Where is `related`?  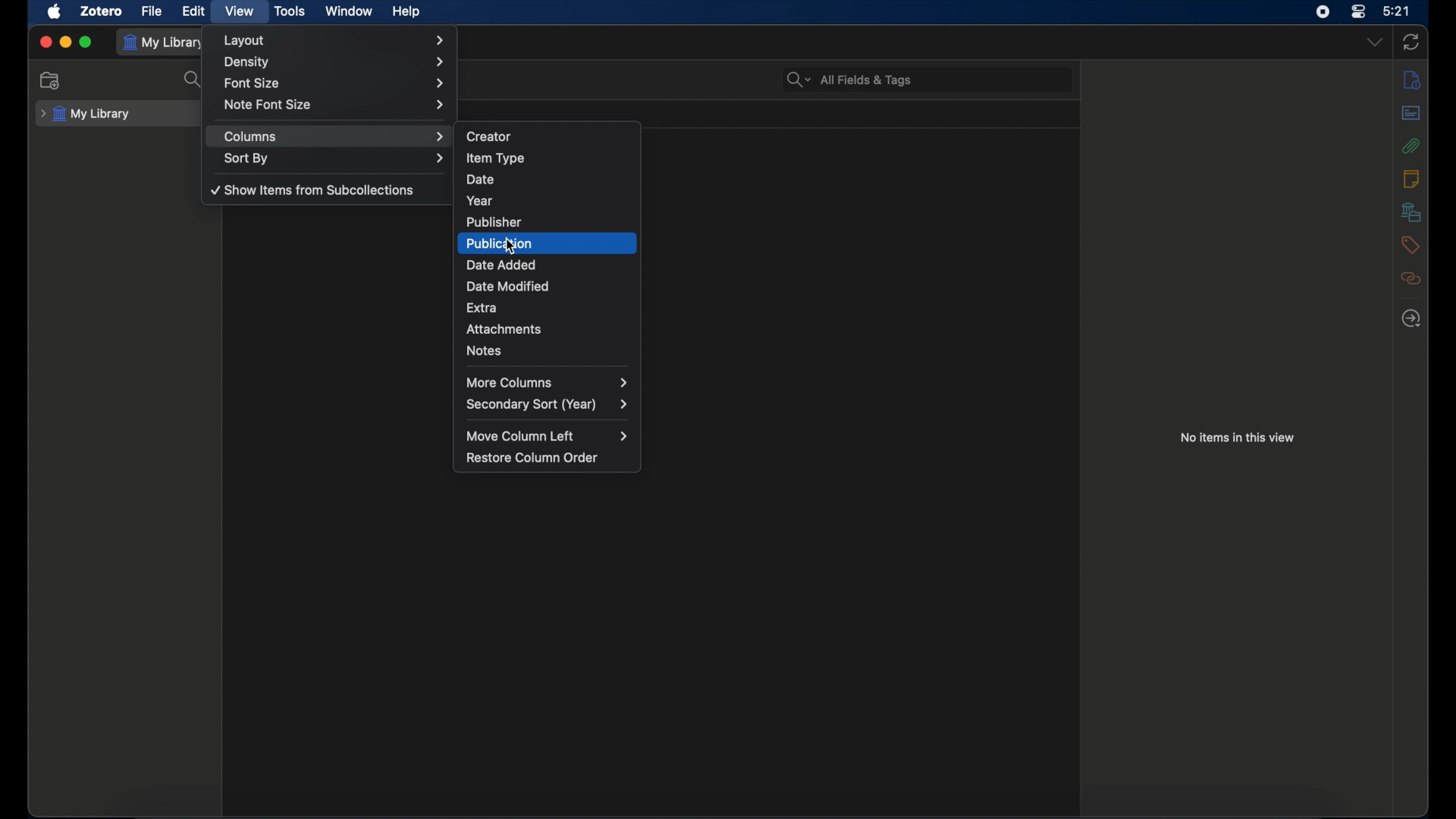 related is located at coordinates (1410, 278).